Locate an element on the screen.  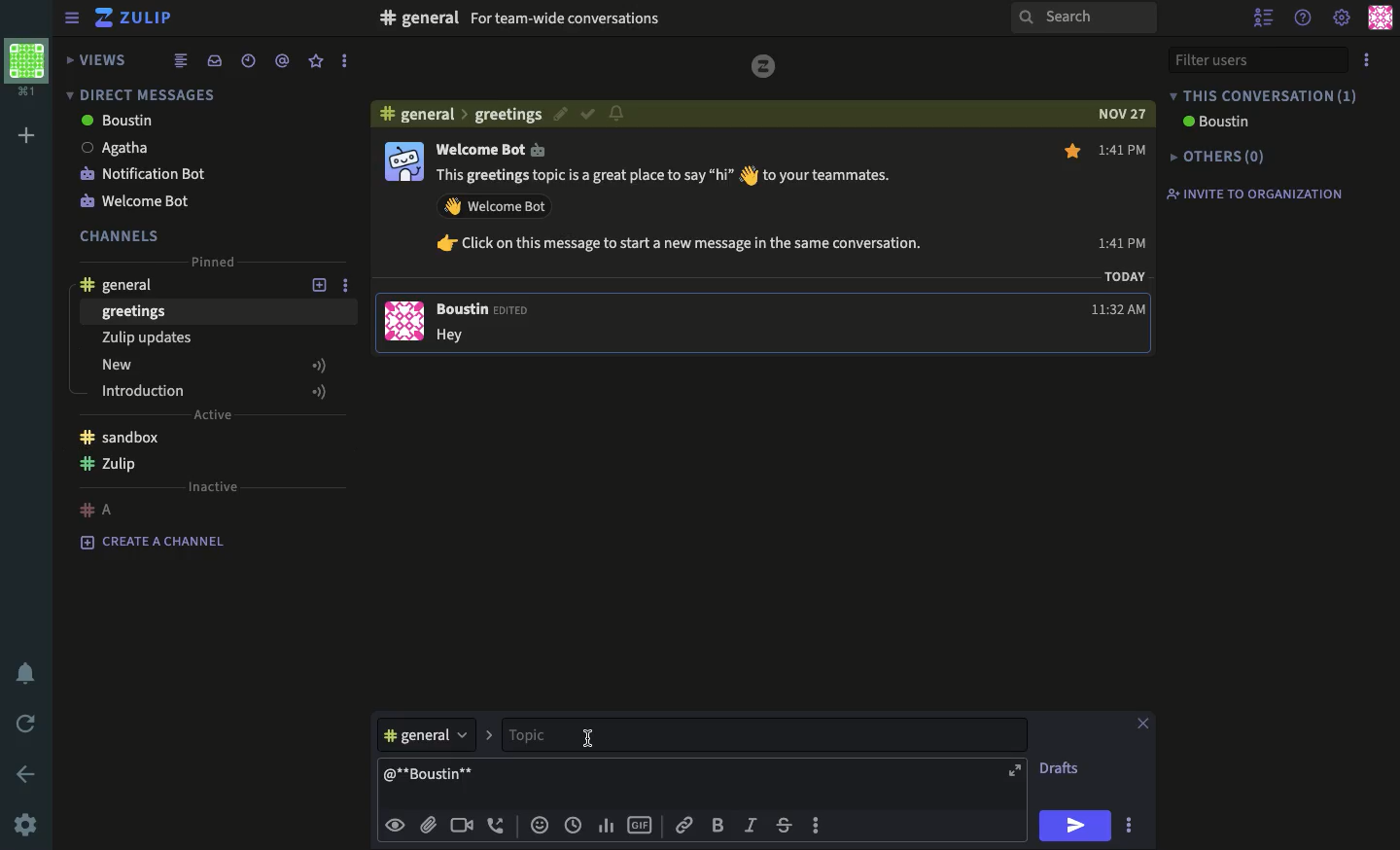
close is located at coordinates (1143, 724).